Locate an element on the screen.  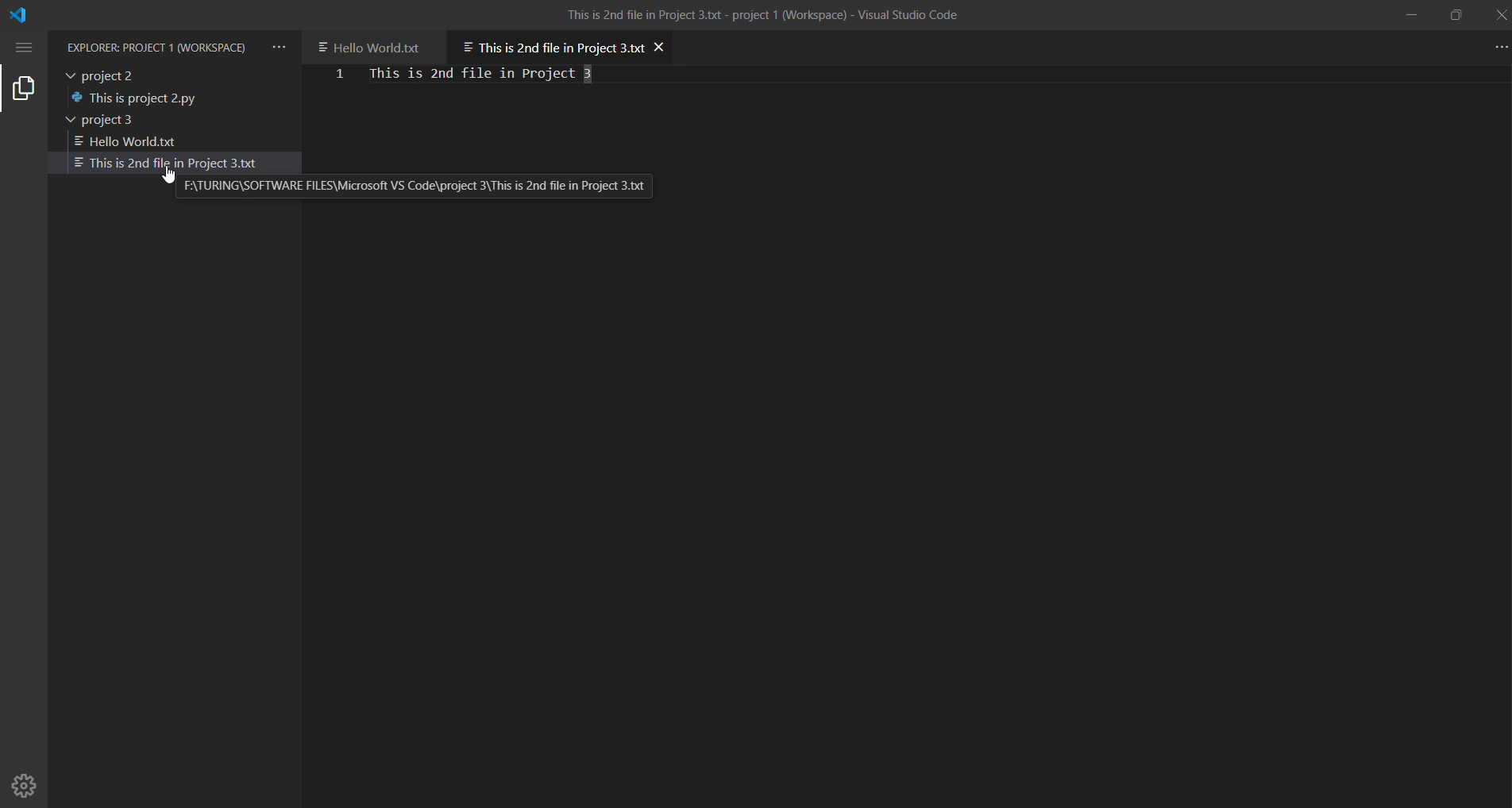
more actions is located at coordinates (1499, 47).